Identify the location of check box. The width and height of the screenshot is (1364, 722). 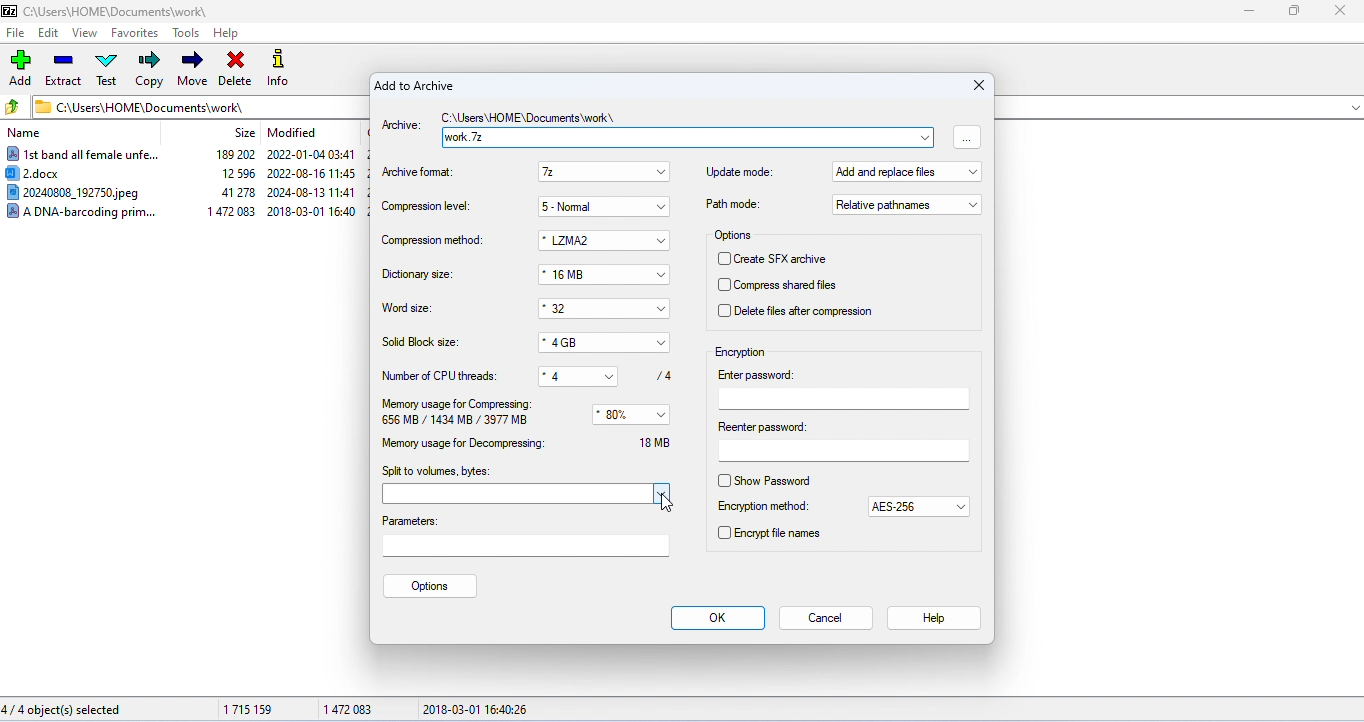
(723, 481).